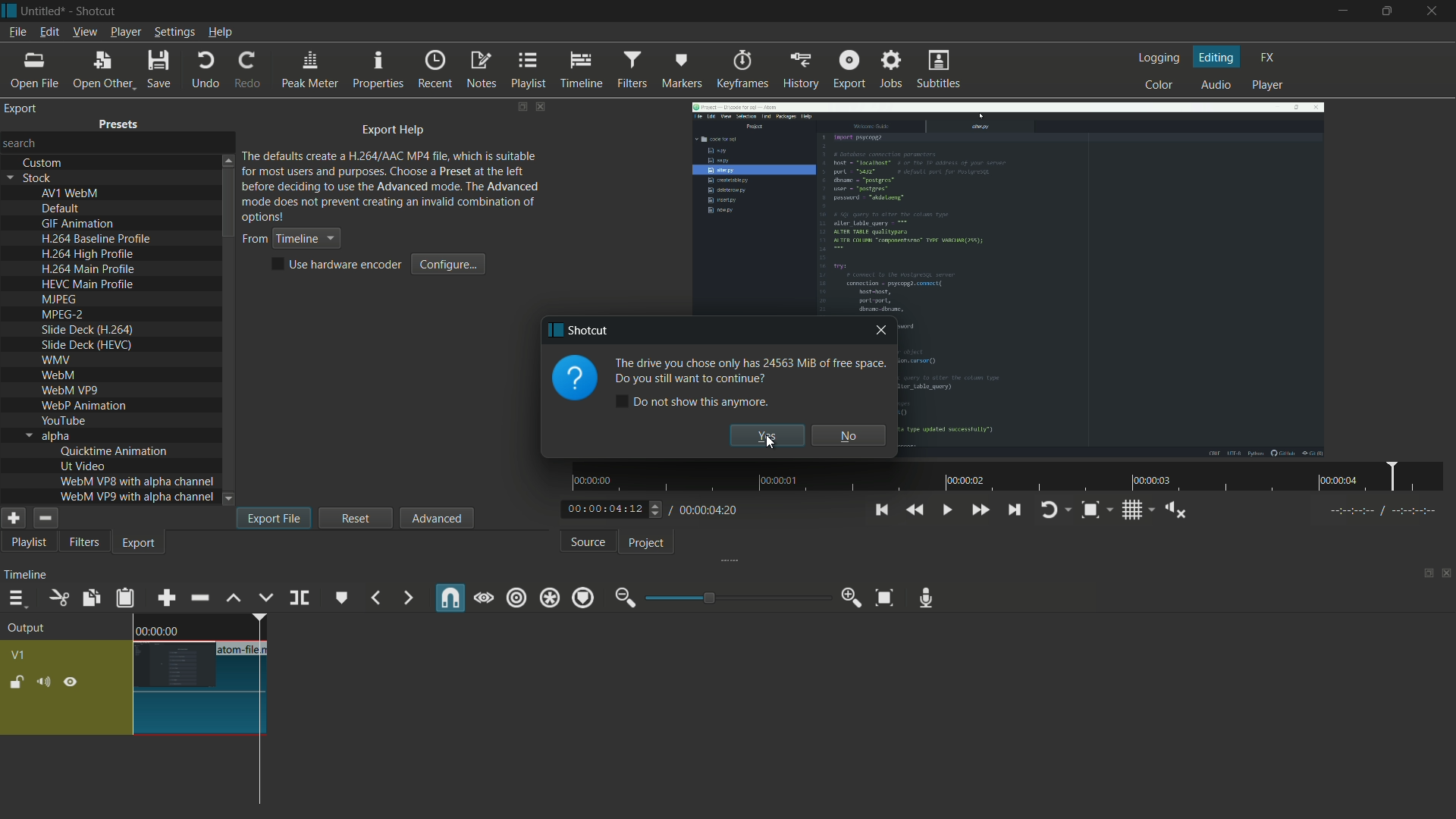  Describe the element at coordinates (88, 255) in the screenshot. I see `h.264 high profile` at that location.